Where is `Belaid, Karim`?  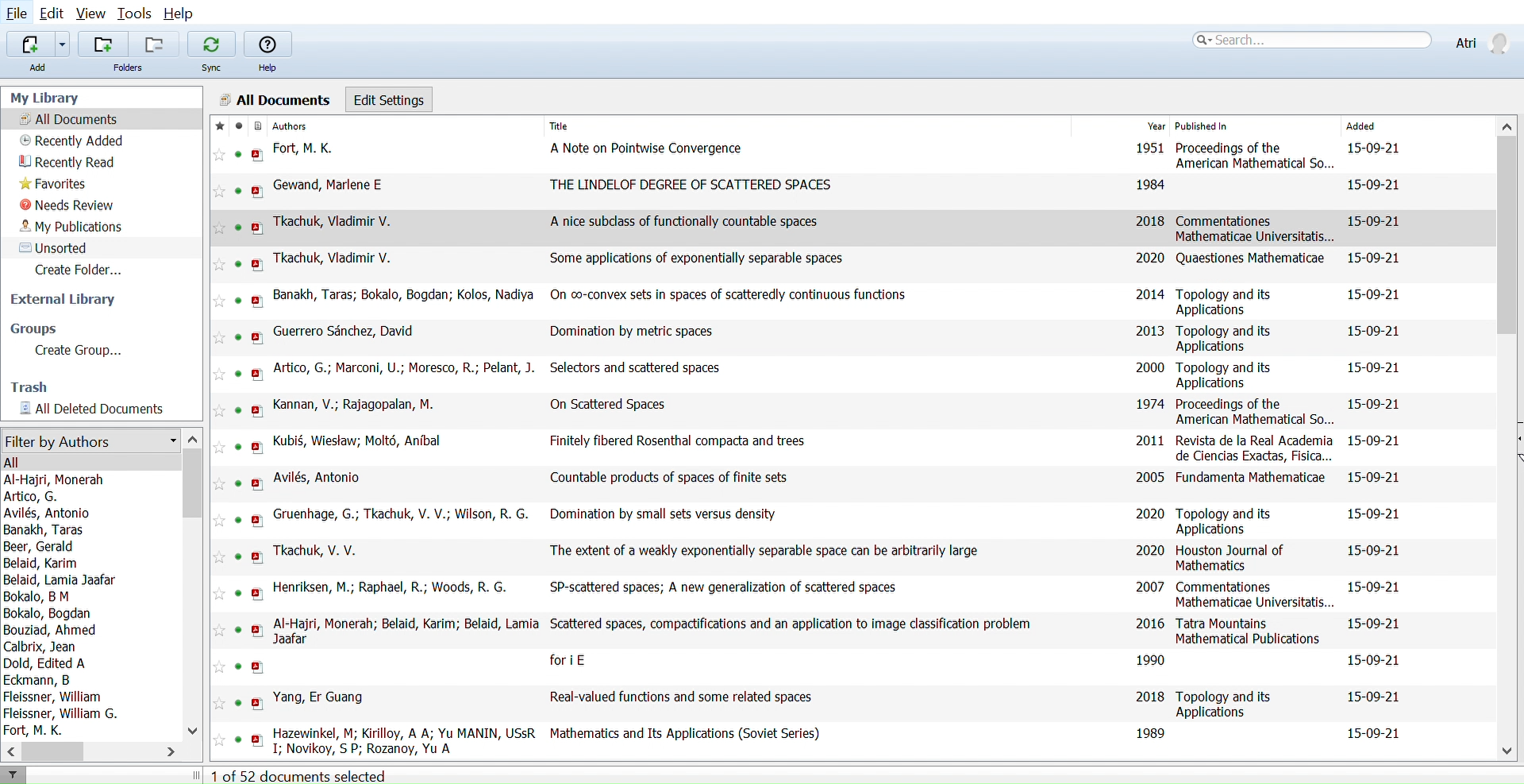 Belaid, Karim is located at coordinates (43, 564).